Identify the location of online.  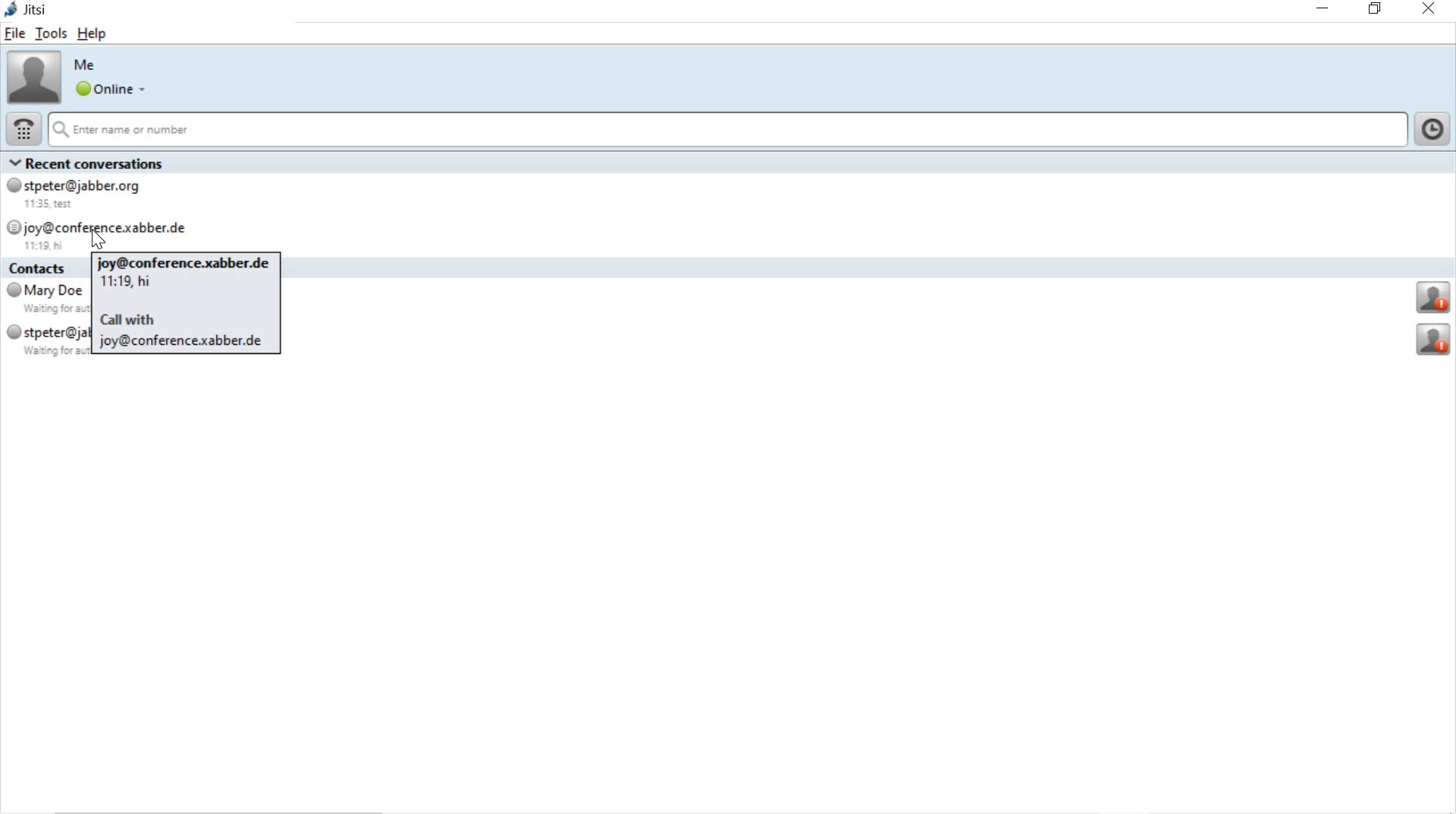
(108, 89).